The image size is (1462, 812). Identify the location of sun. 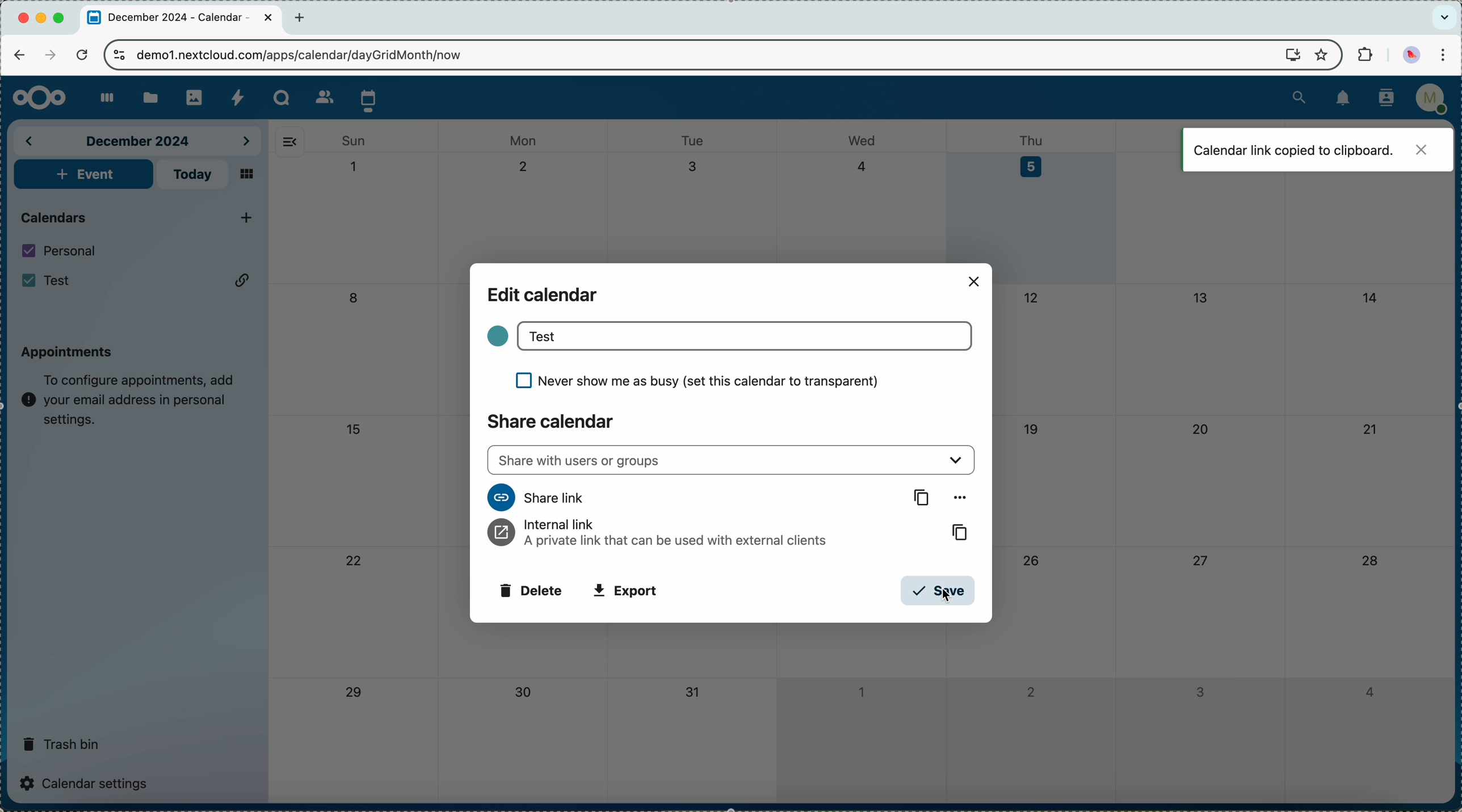
(352, 141).